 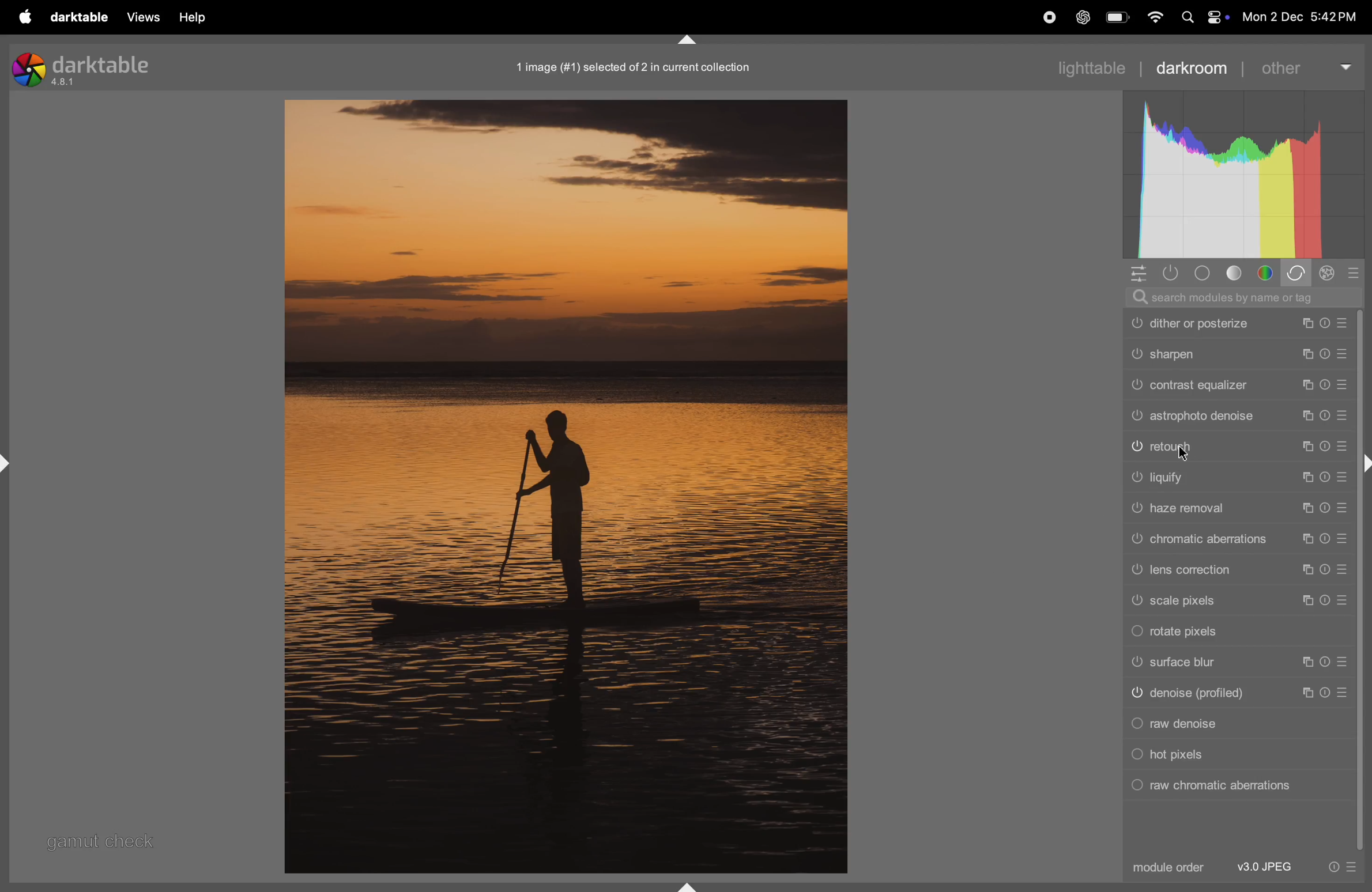 I want to click on apple widgets, so click(x=1201, y=17).